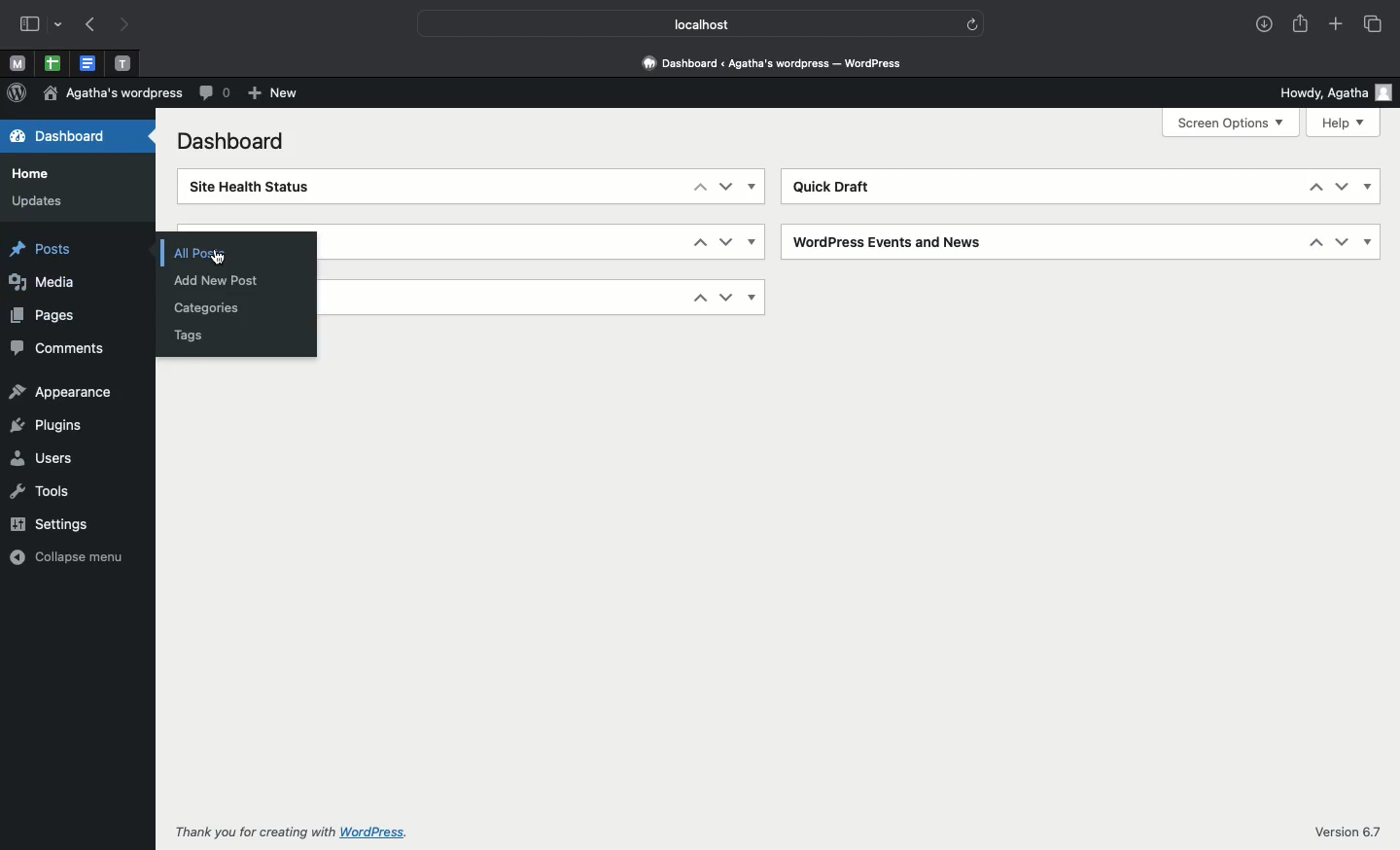 The image size is (1400, 850). I want to click on Tabs, so click(1376, 24).